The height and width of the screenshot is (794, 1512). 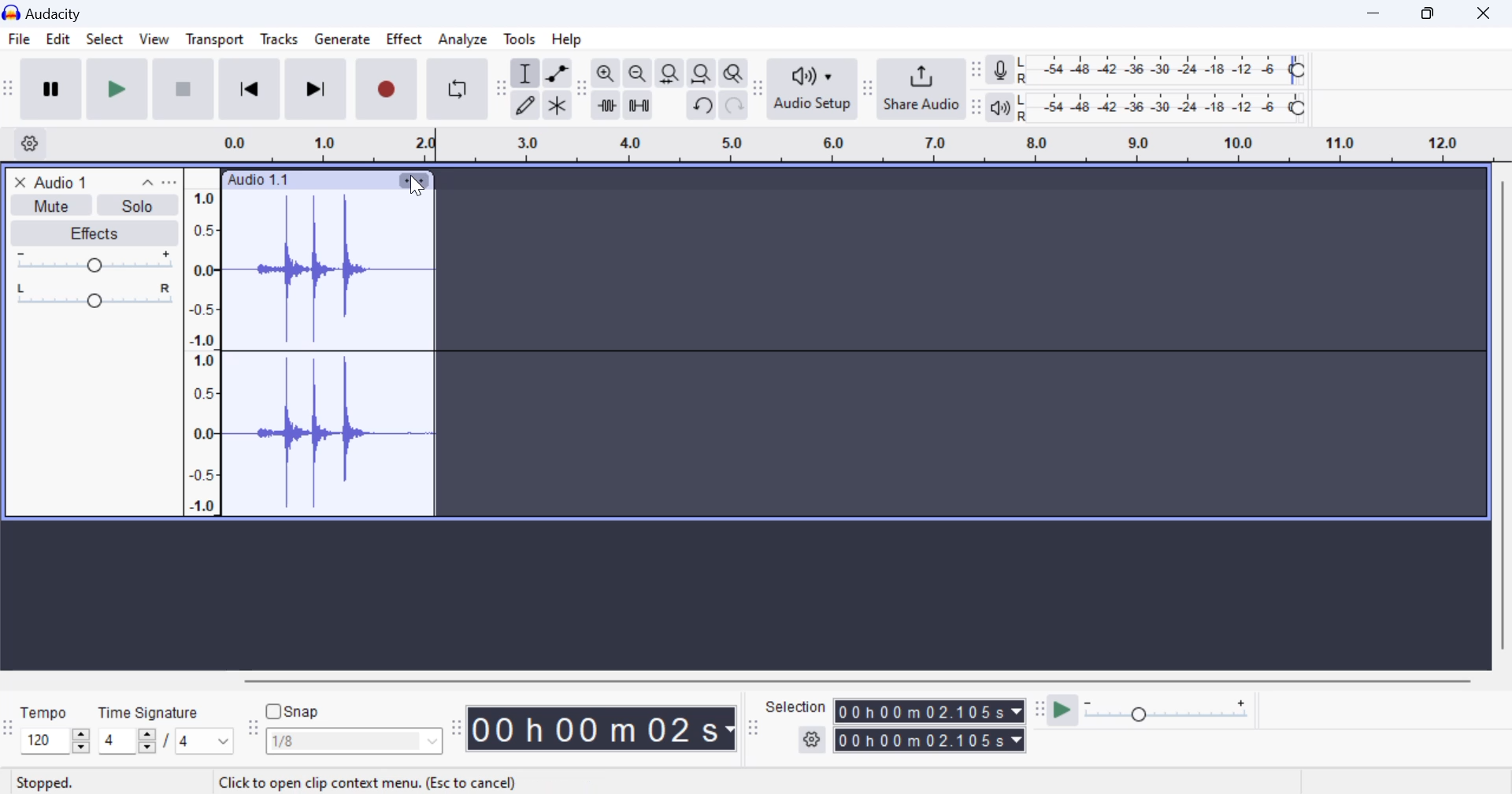 I want to click on Stop, so click(x=185, y=88).